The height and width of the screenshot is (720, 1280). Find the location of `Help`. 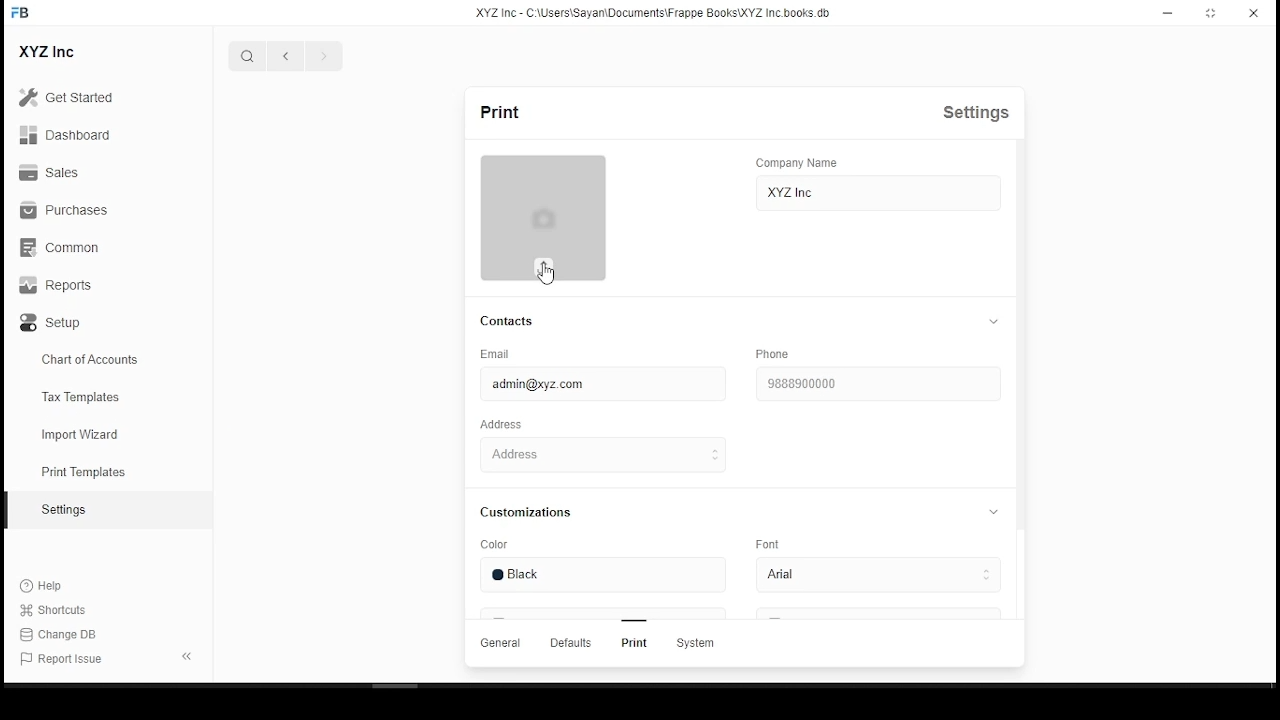

Help is located at coordinates (44, 587).